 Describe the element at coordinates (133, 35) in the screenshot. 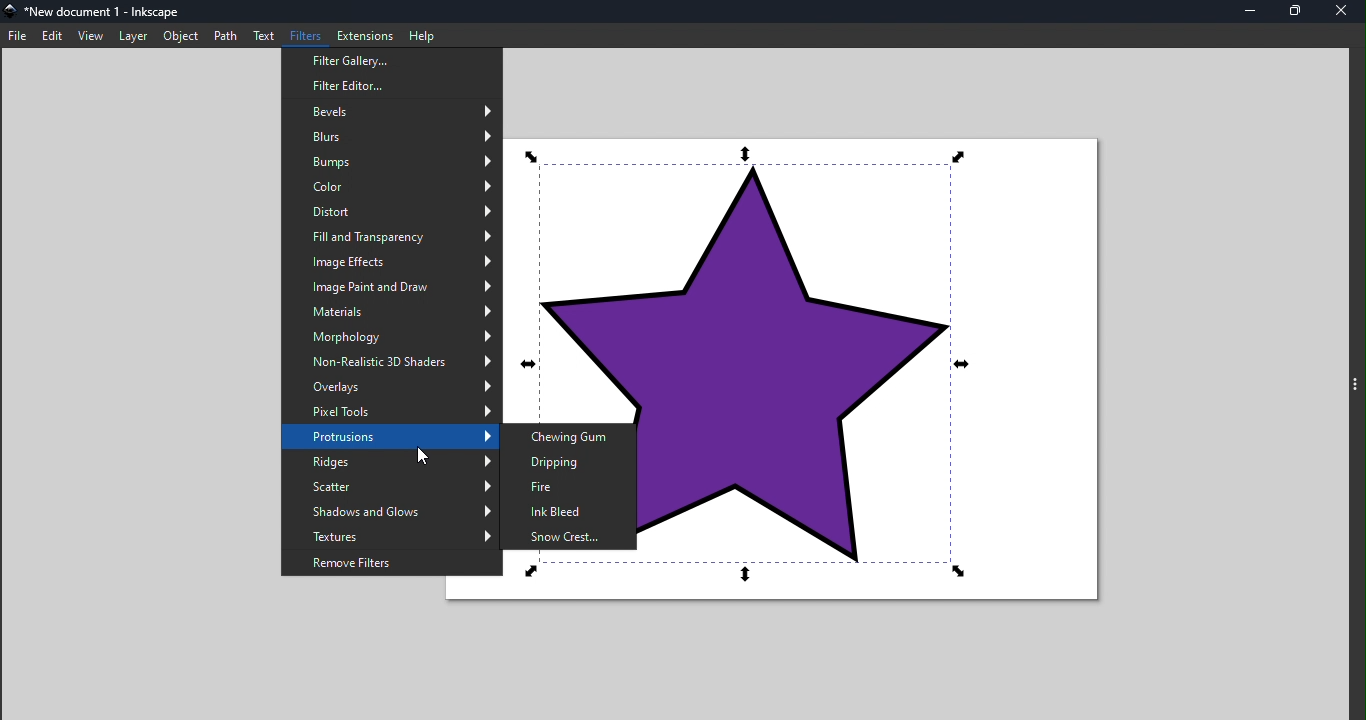

I see `Layer` at that location.